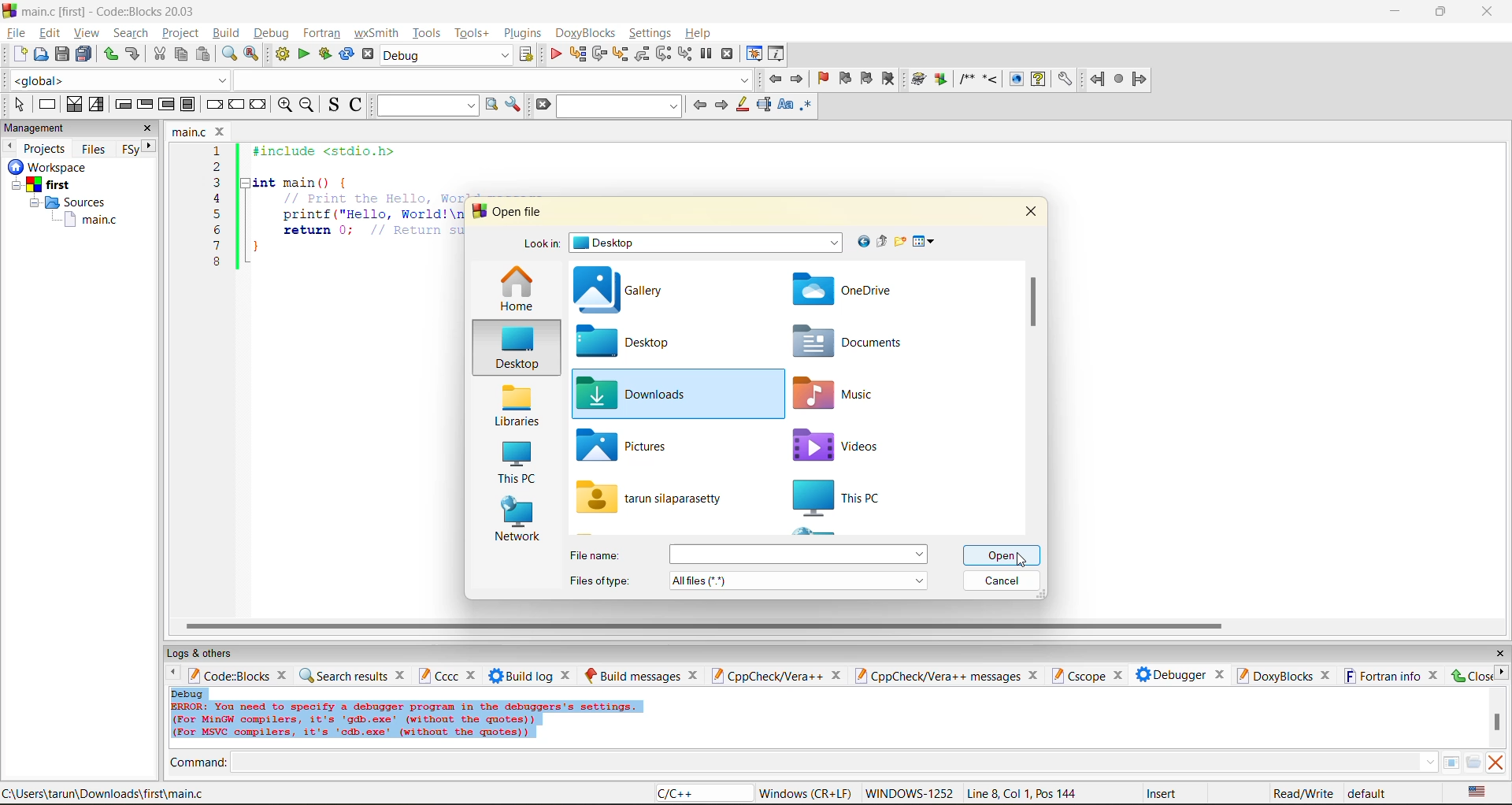 This screenshot has height=805, width=1512. What do you see at coordinates (1021, 560) in the screenshot?
I see `cursor` at bounding box center [1021, 560].